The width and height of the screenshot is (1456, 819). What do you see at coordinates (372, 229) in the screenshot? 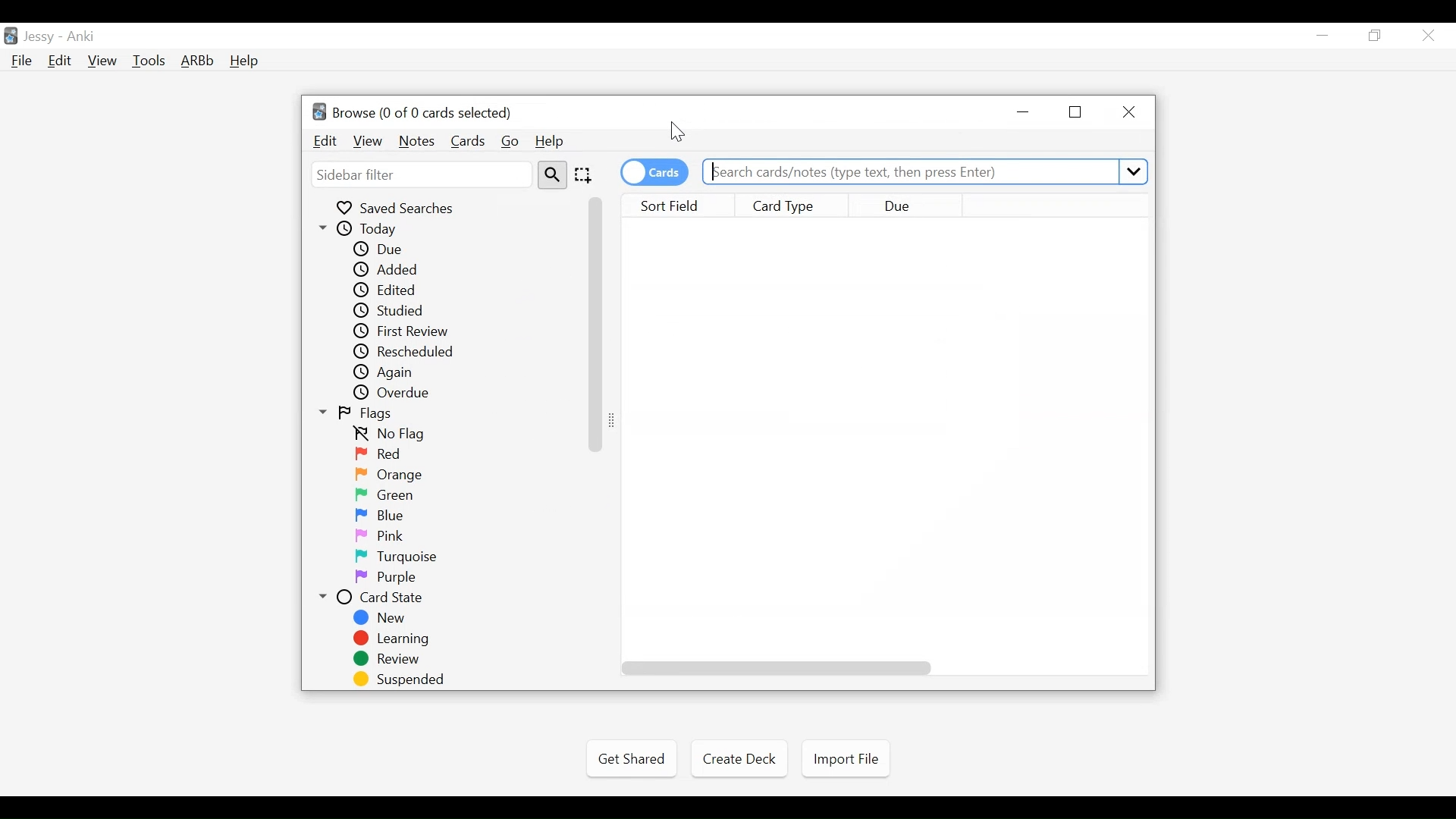
I see `Today` at bounding box center [372, 229].